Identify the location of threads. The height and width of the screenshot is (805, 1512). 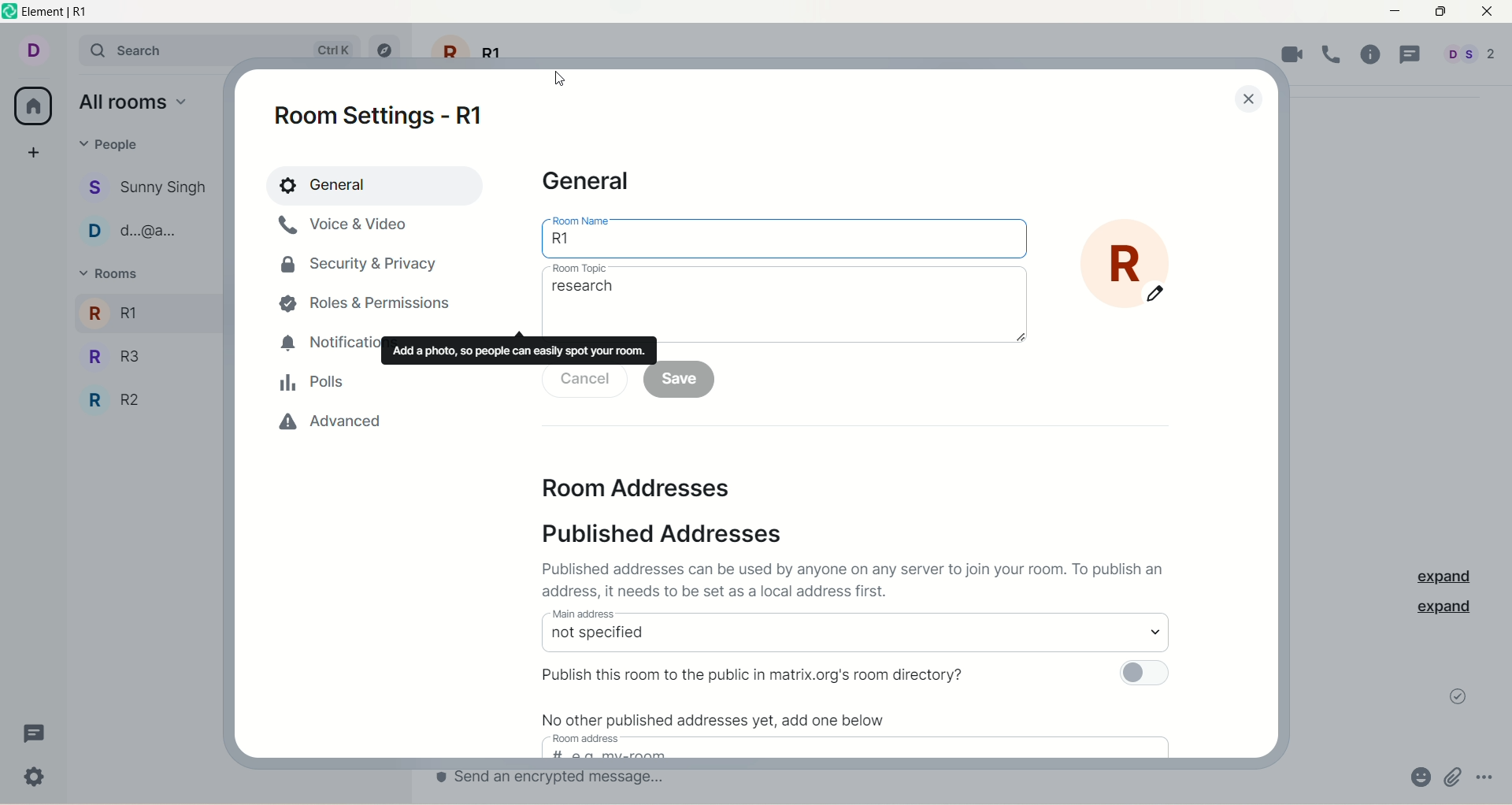
(43, 732).